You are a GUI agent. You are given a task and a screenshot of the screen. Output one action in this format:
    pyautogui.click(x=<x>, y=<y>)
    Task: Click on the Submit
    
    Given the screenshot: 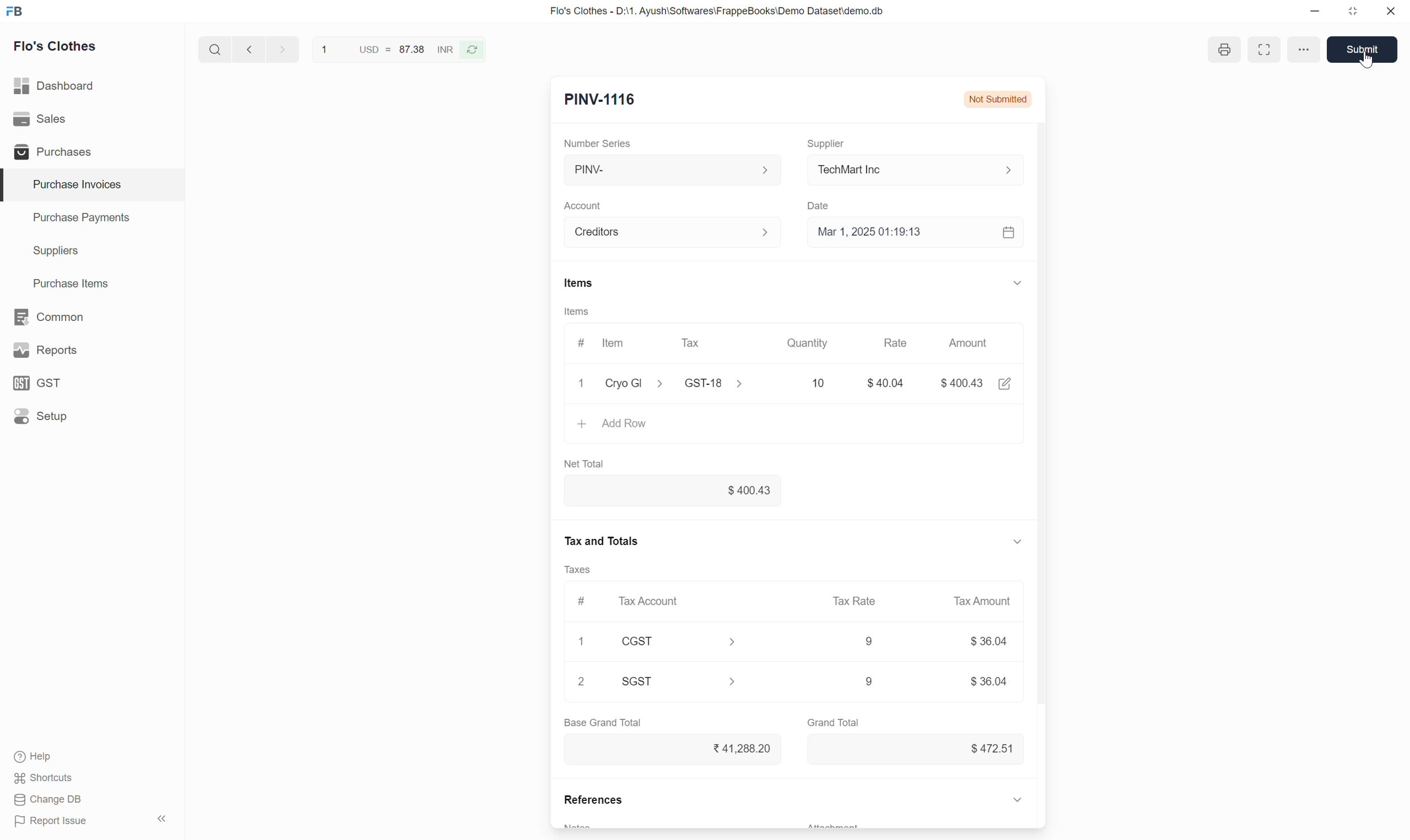 What is the action you would take?
    pyautogui.click(x=1365, y=49)
    